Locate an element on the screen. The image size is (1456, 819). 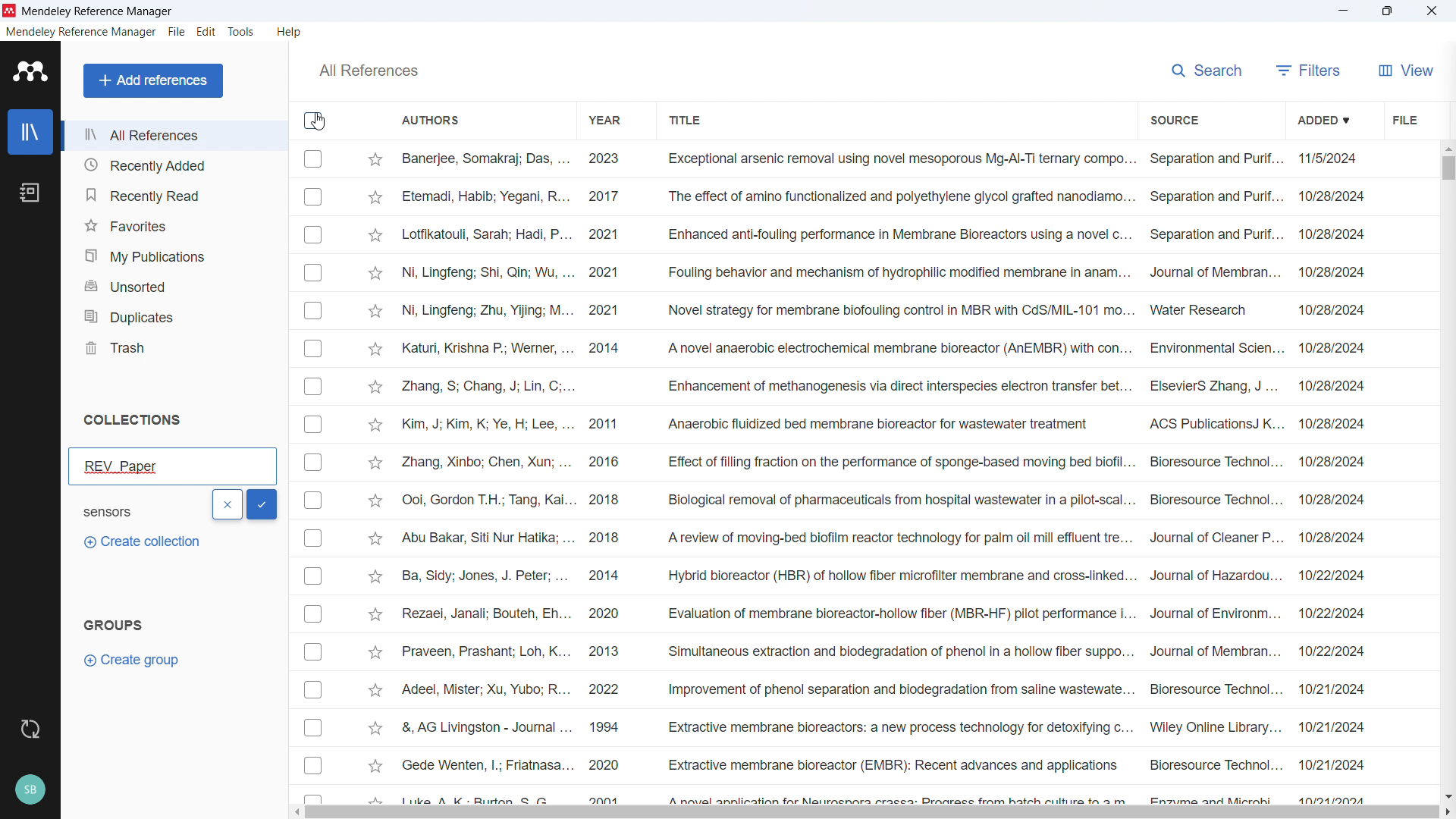
Praveen, Prashant; Loh, K... 2013 Simultaneous extraction and biodegradation of phenol in a hollow fiber suppo... Journal of Membran... 10/22/2024 is located at coordinates (883, 651).